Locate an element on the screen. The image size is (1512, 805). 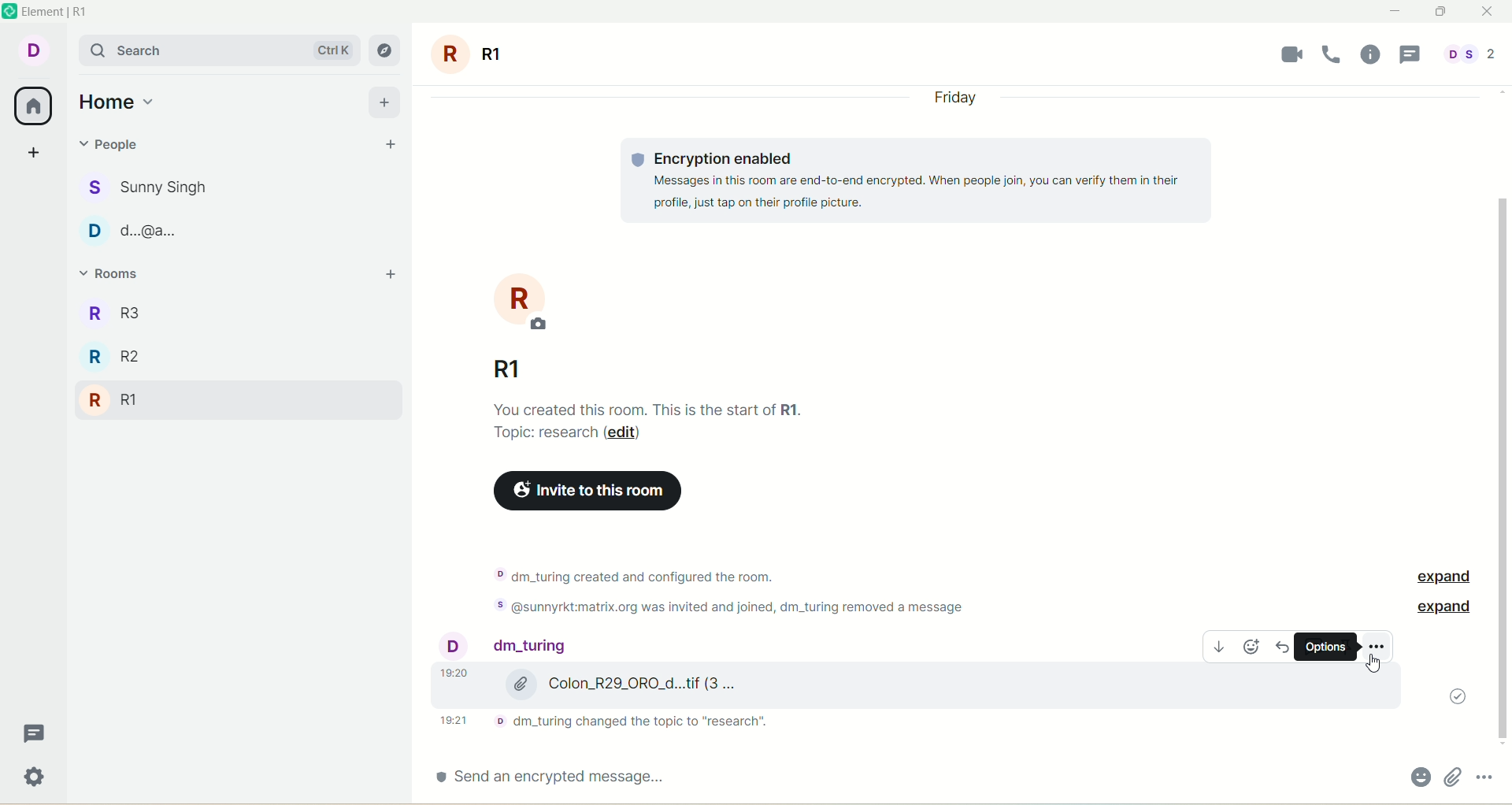
voice call is located at coordinates (1333, 53).